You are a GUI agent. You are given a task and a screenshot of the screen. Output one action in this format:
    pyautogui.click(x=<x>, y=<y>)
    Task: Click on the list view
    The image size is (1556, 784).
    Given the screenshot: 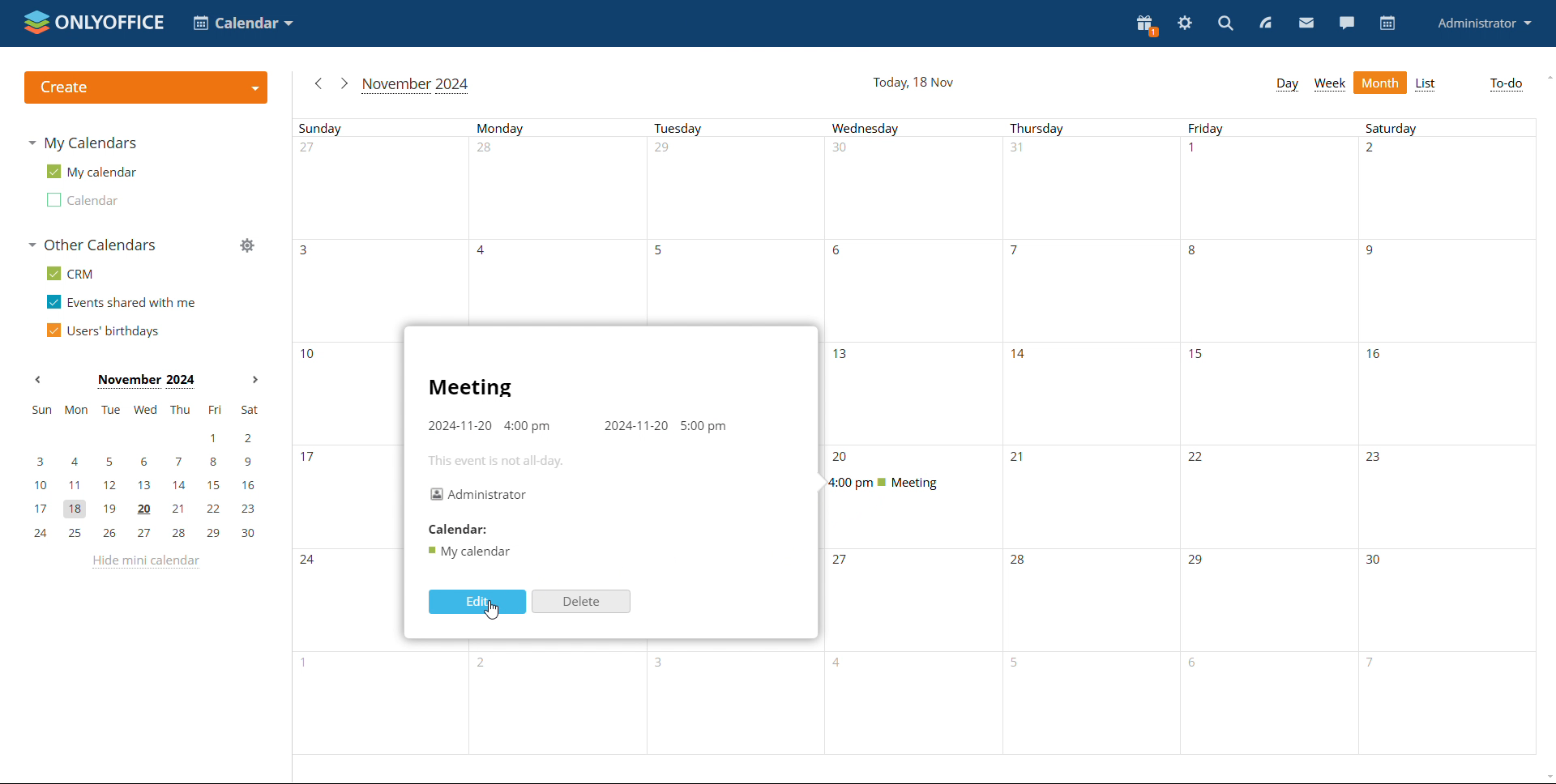 What is the action you would take?
    pyautogui.click(x=1427, y=84)
    